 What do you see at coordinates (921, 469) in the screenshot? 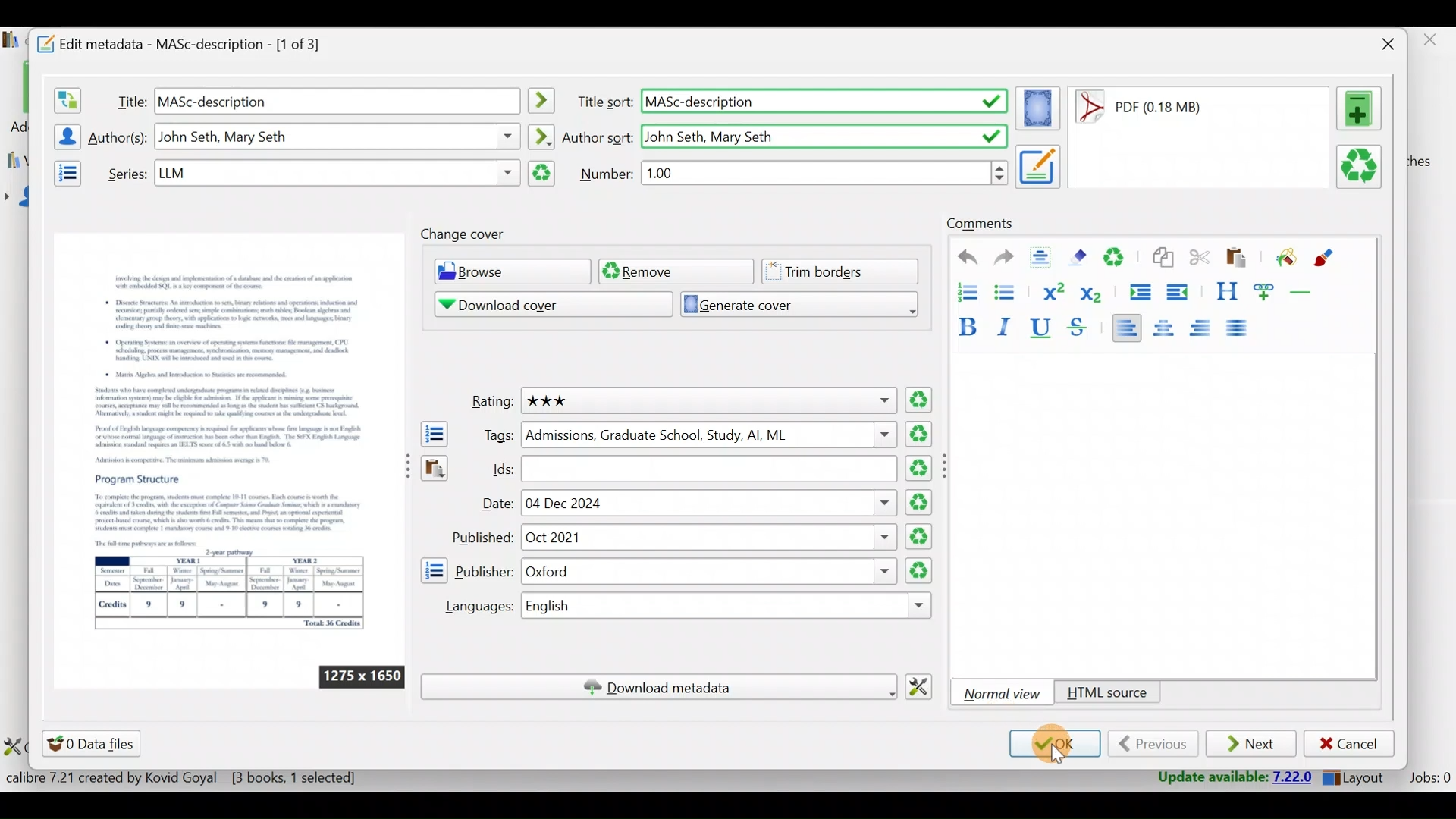
I see `Clear Ids` at bounding box center [921, 469].